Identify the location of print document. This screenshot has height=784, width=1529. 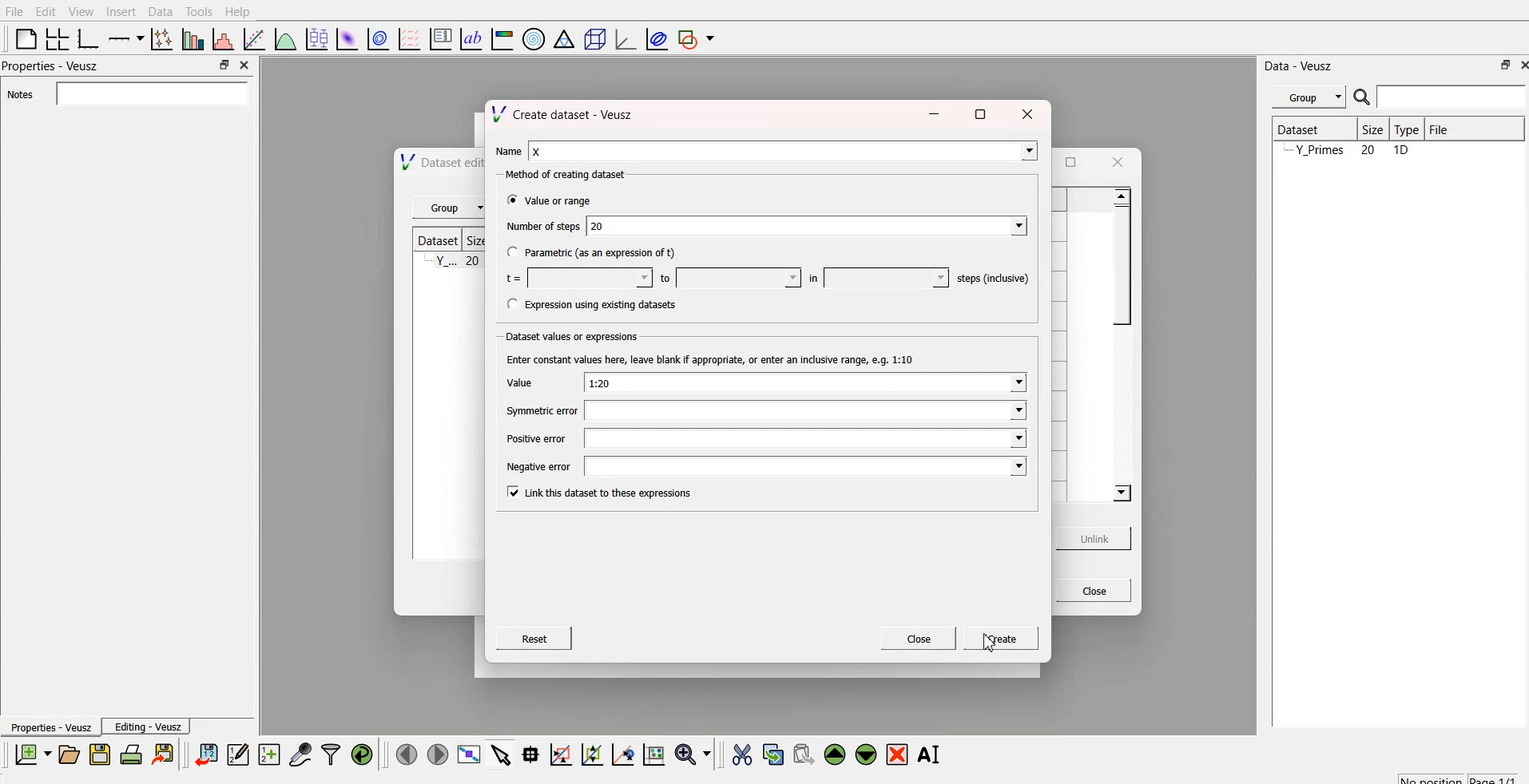
(133, 755).